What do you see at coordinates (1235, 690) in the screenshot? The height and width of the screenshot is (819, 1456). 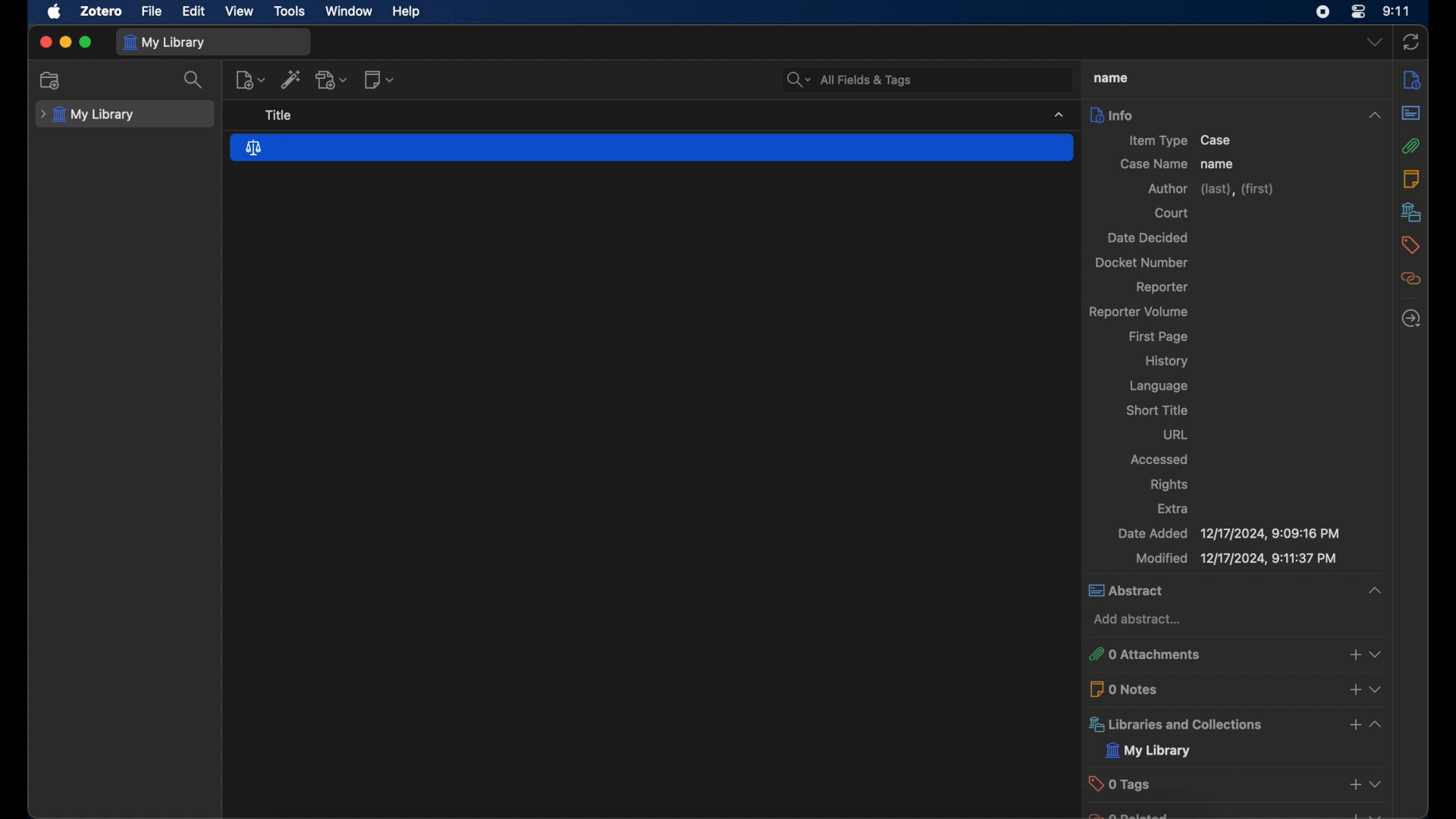 I see `0 notes` at bounding box center [1235, 690].